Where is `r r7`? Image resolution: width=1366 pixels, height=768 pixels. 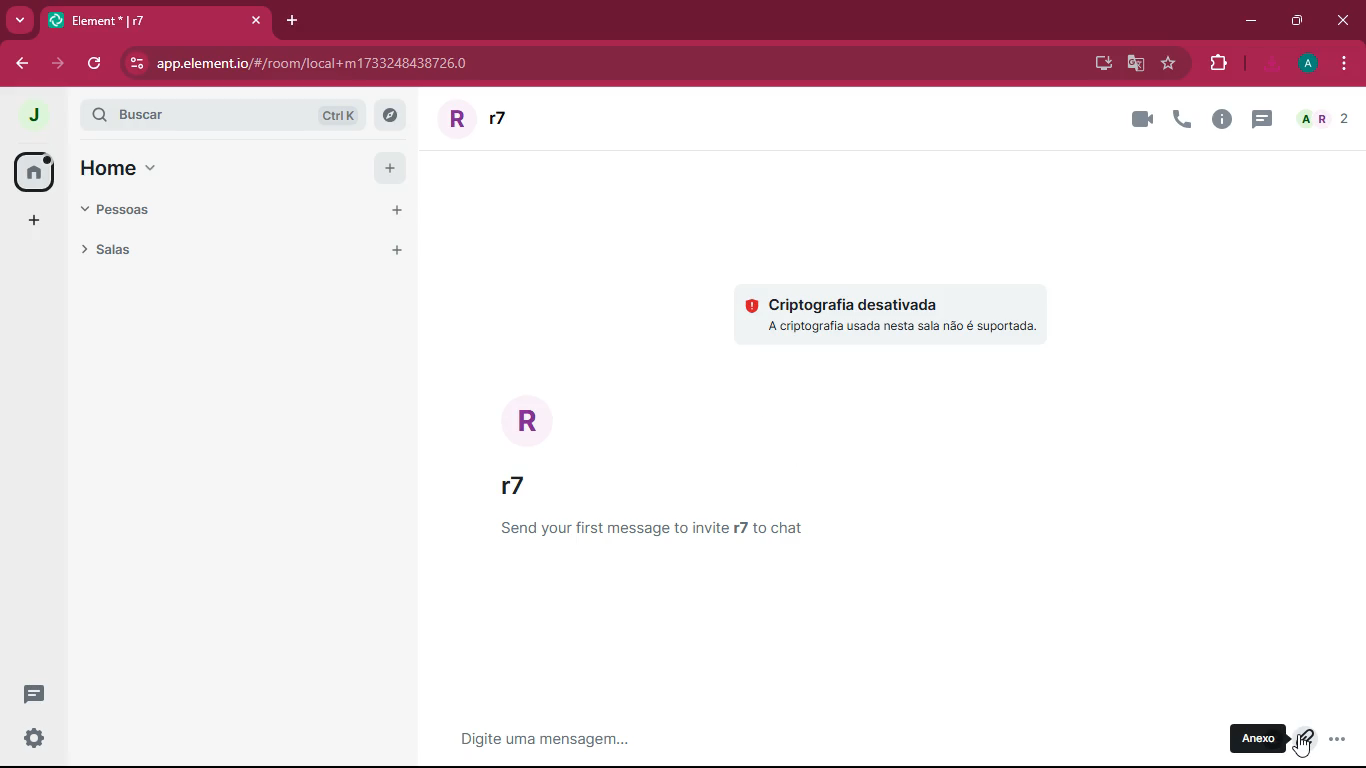 r r7 is located at coordinates (511, 118).